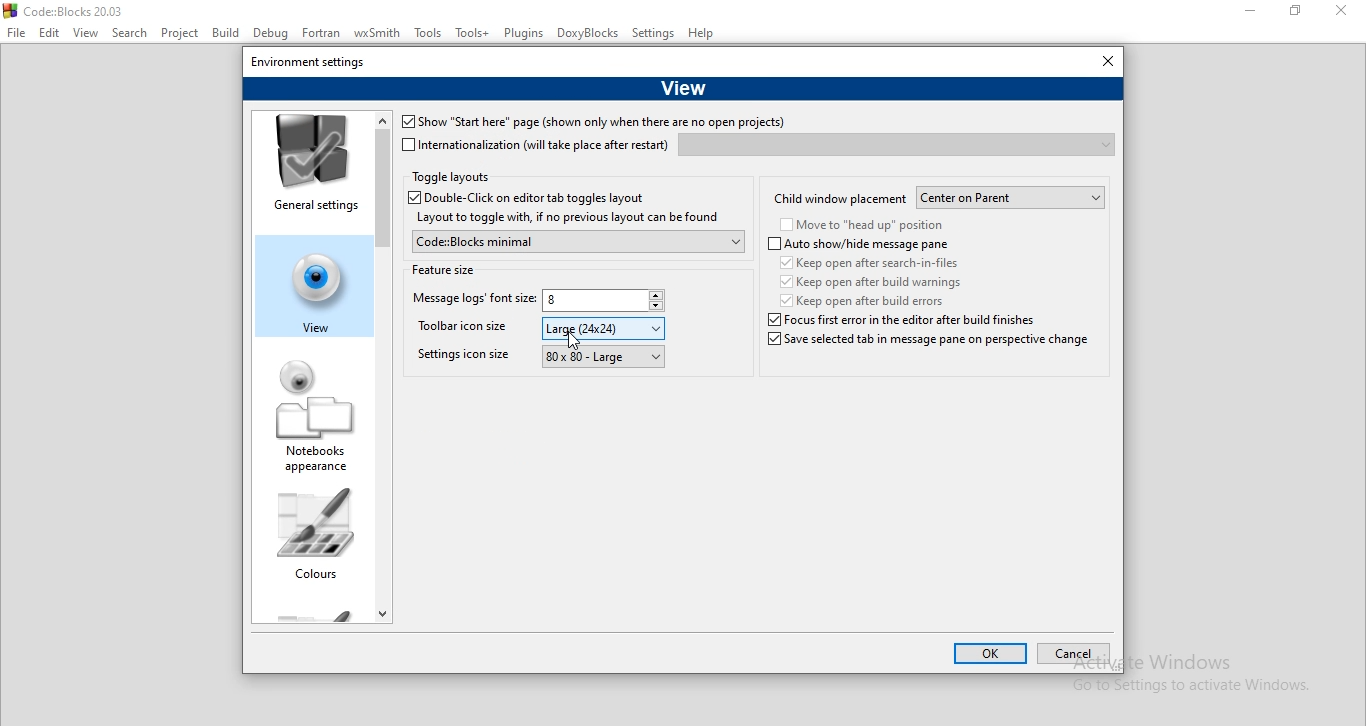 The image size is (1366, 726). Describe the element at coordinates (524, 33) in the screenshot. I see `Plugins` at that location.